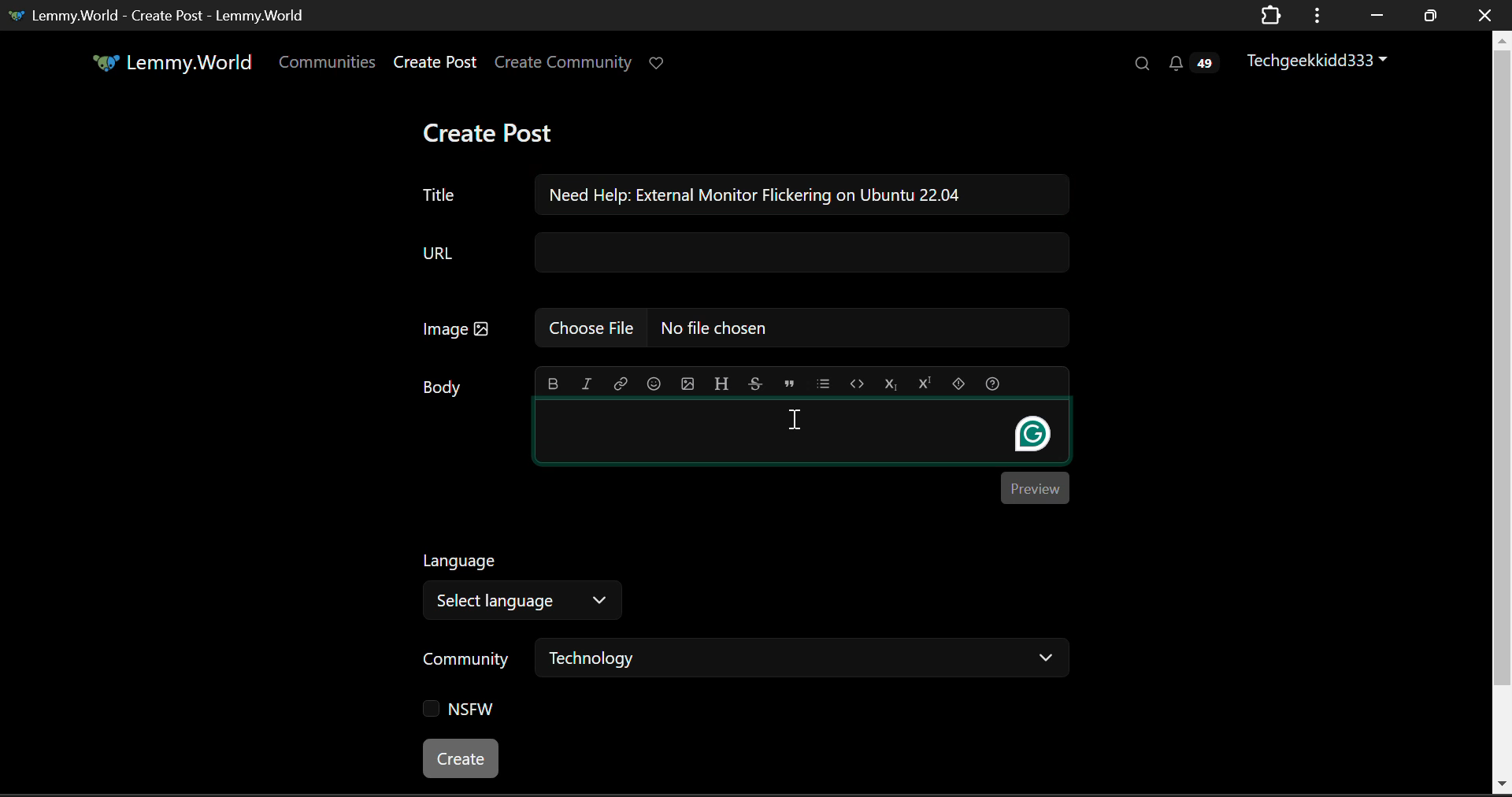 Image resolution: width=1512 pixels, height=797 pixels. I want to click on Notifications, so click(1197, 61).